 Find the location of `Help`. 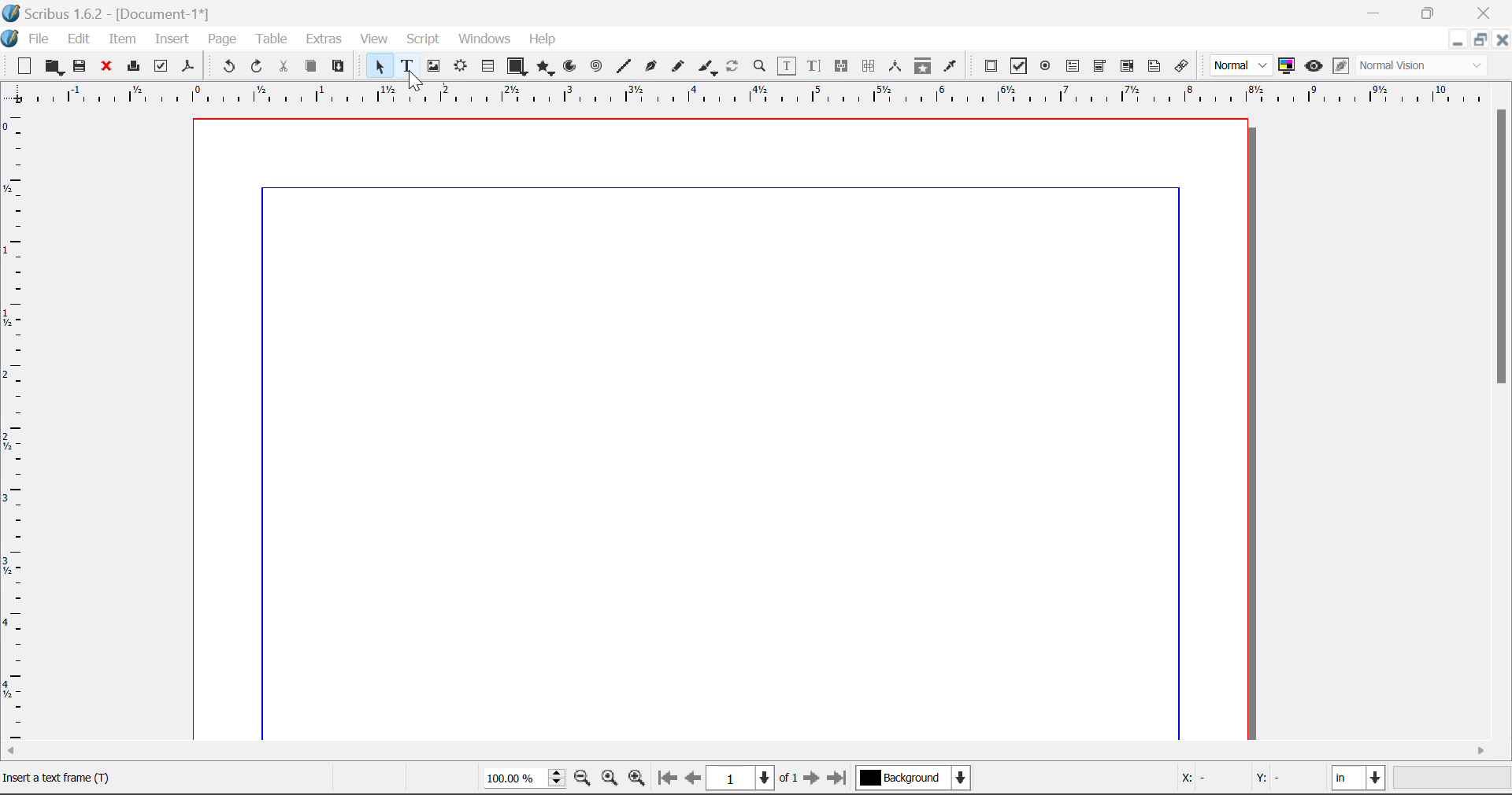

Help is located at coordinates (543, 39).